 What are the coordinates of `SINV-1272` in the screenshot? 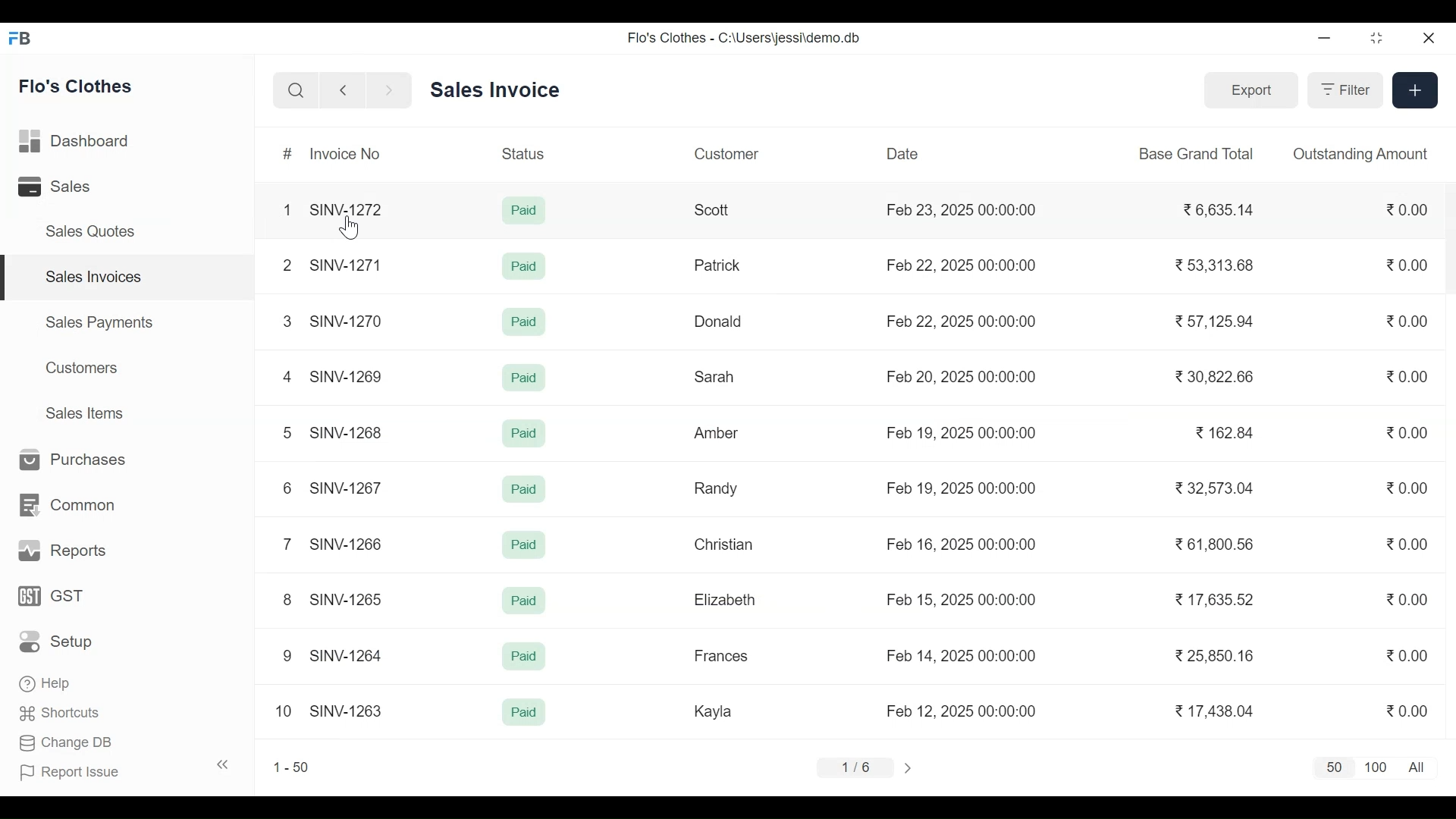 It's located at (344, 209).